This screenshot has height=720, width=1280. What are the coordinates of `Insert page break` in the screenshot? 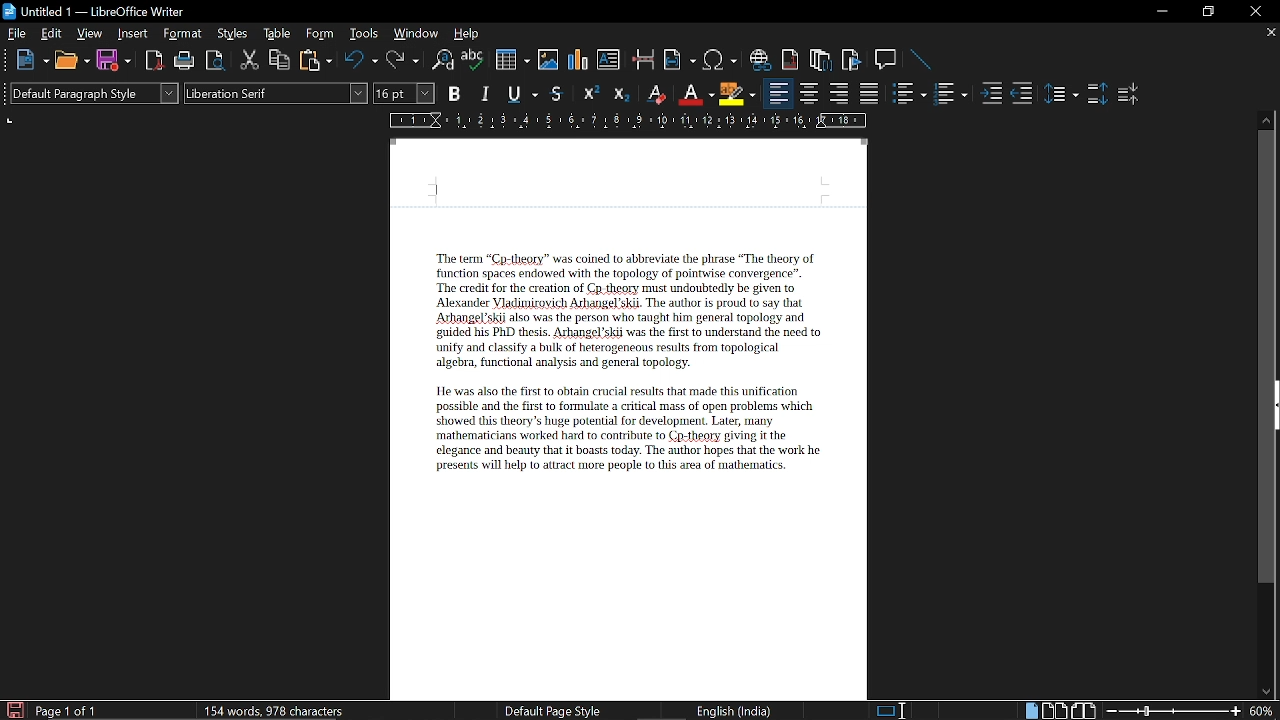 It's located at (642, 60).